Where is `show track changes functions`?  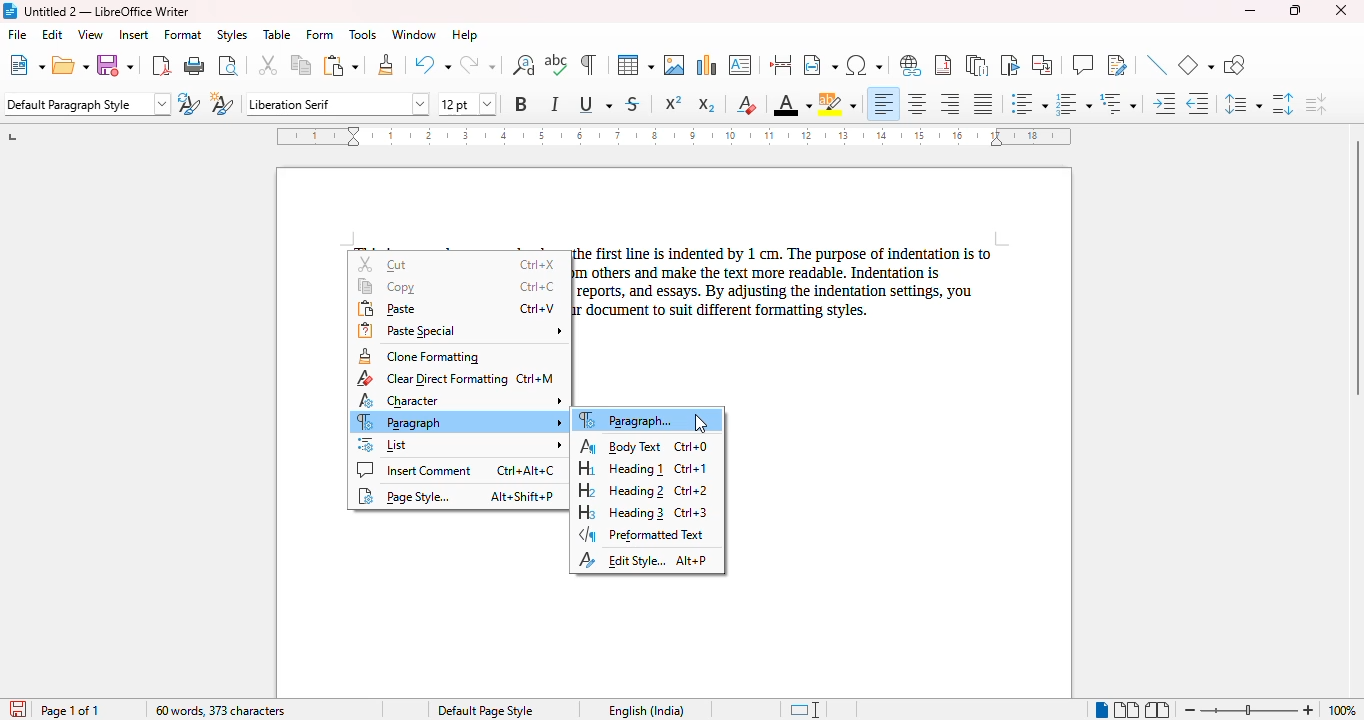
show track changes functions is located at coordinates (1117, 65).